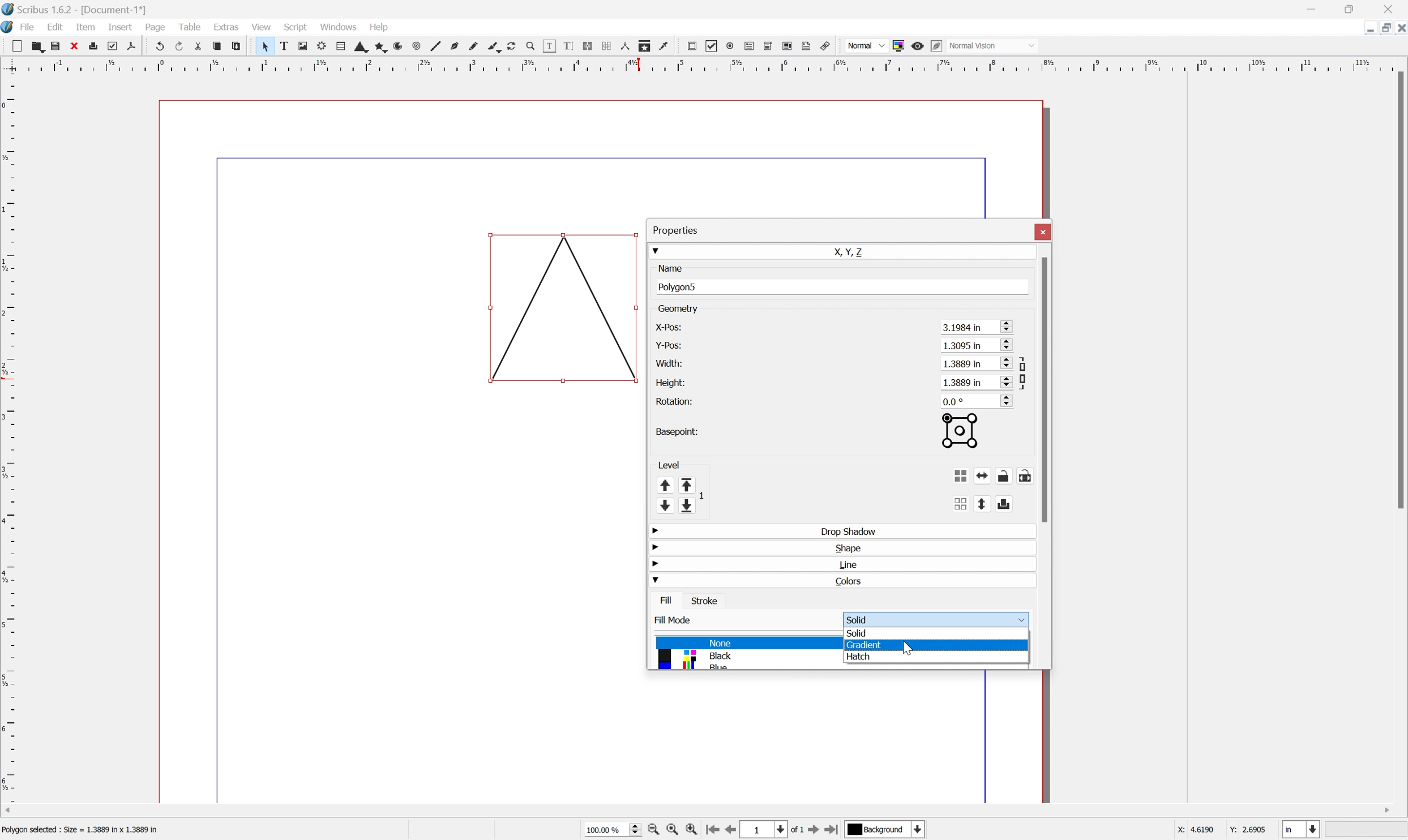  Describe the element at coordinates (1388, 10) in the screenshot. I see `Close` at that location.